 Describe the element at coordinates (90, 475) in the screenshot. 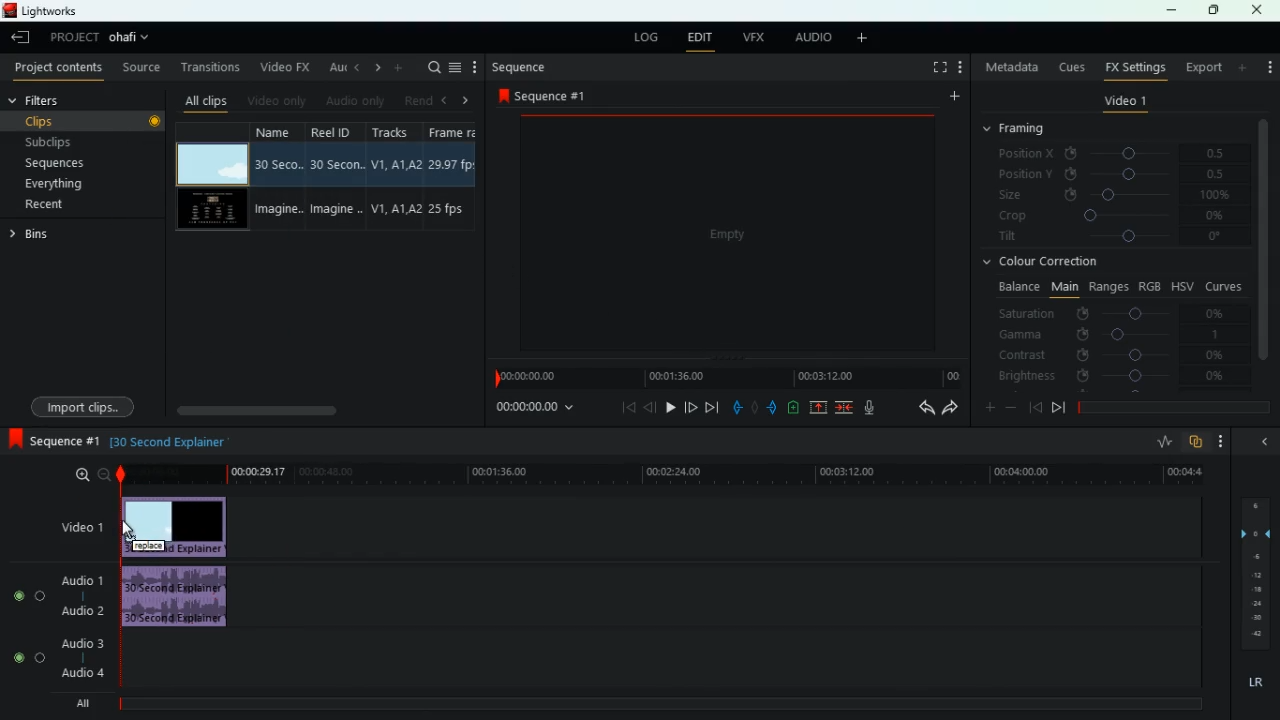

I see `zoom` at that location.